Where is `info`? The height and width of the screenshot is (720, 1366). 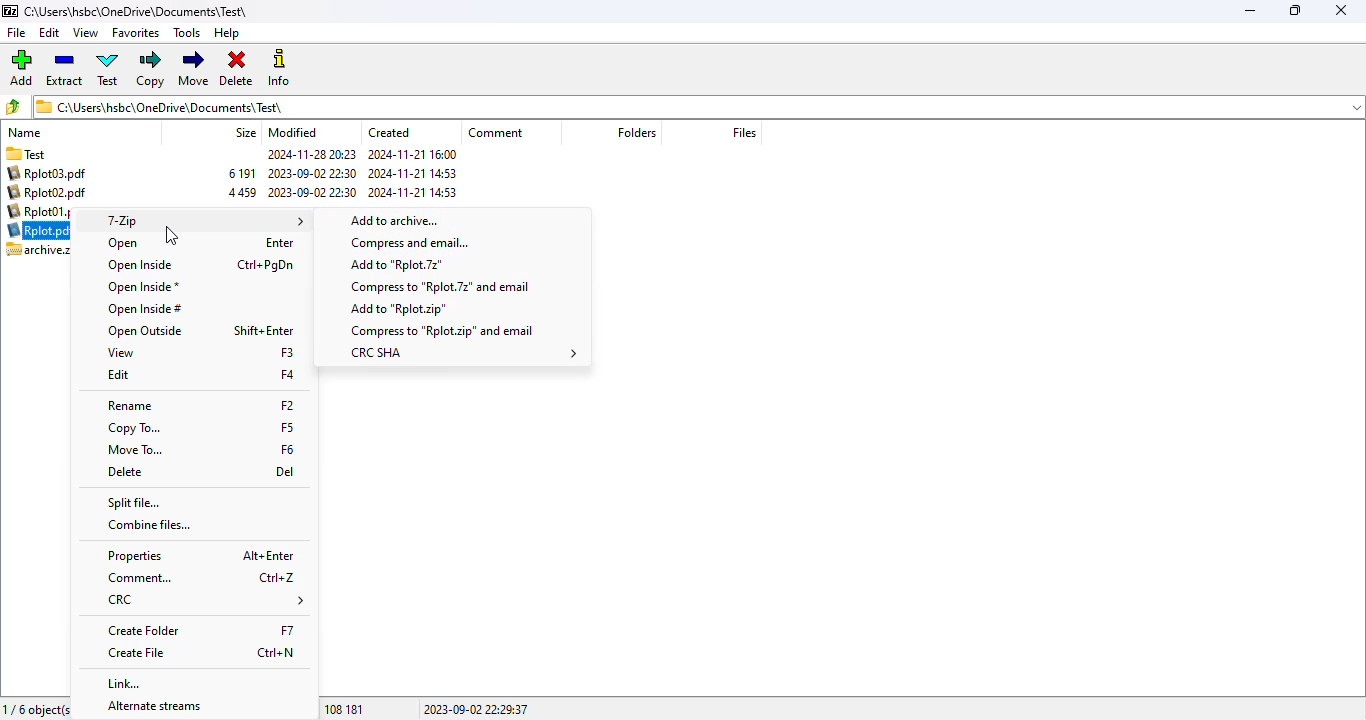
info is located at coordinates (279, 68).